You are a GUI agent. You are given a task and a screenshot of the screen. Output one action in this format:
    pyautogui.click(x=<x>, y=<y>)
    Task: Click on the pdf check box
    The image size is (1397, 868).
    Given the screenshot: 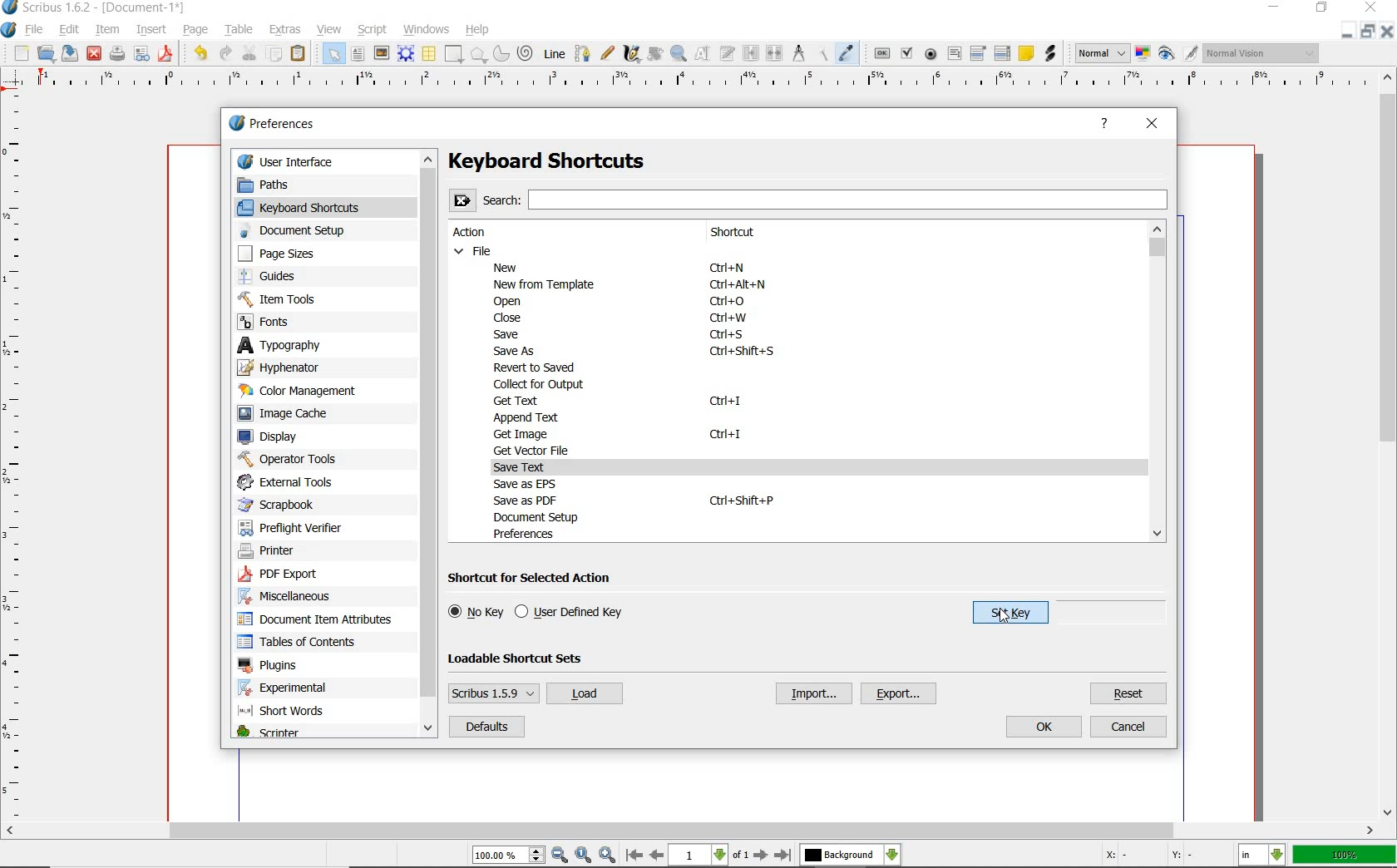 What is the action you would take?
    pyautogui.click(x=906, y=52)
    